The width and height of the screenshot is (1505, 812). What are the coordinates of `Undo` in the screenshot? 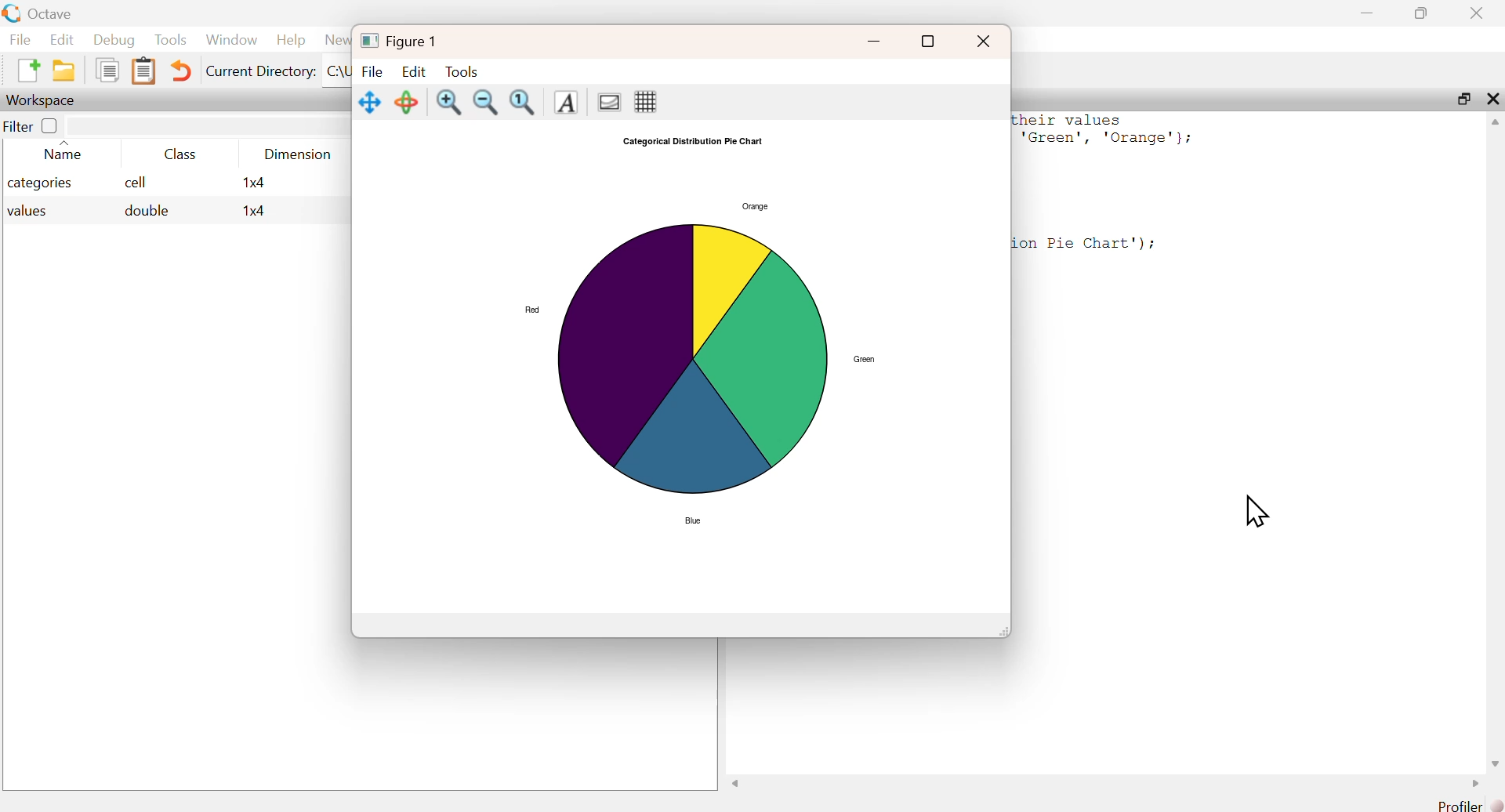 It's located at (182, 70).